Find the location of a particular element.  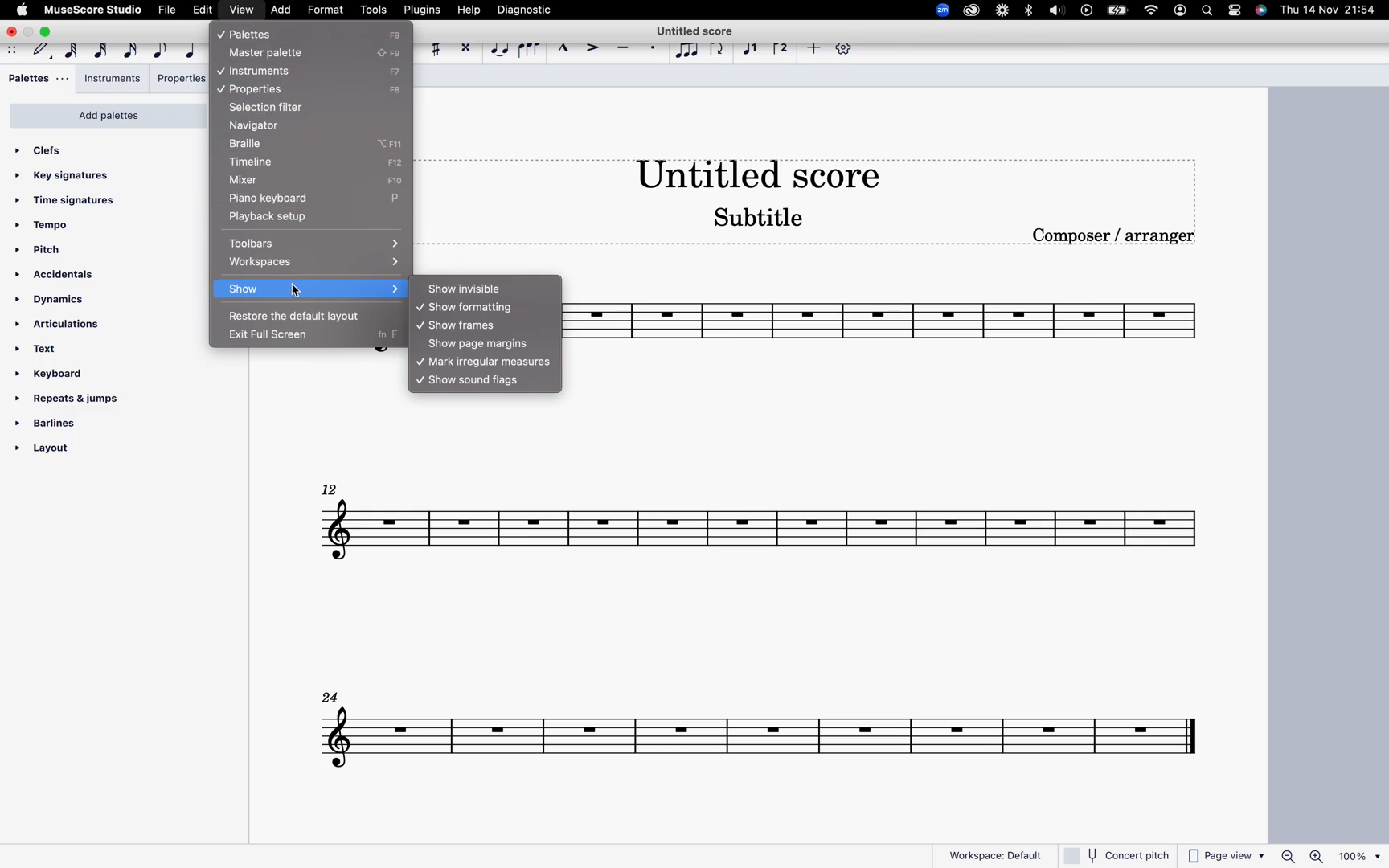

record is located at coordinates (1088, 14).